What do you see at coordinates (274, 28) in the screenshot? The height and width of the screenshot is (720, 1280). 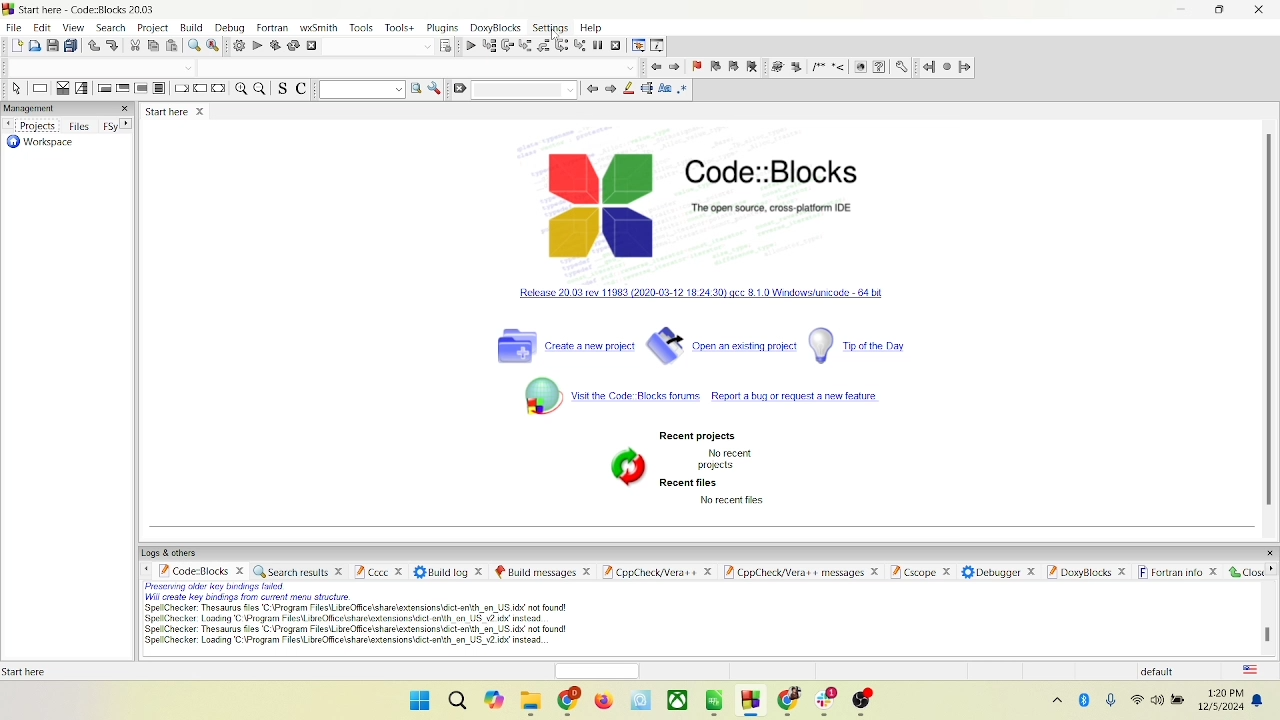 I see `fortran` at bounding box center [274, 28].